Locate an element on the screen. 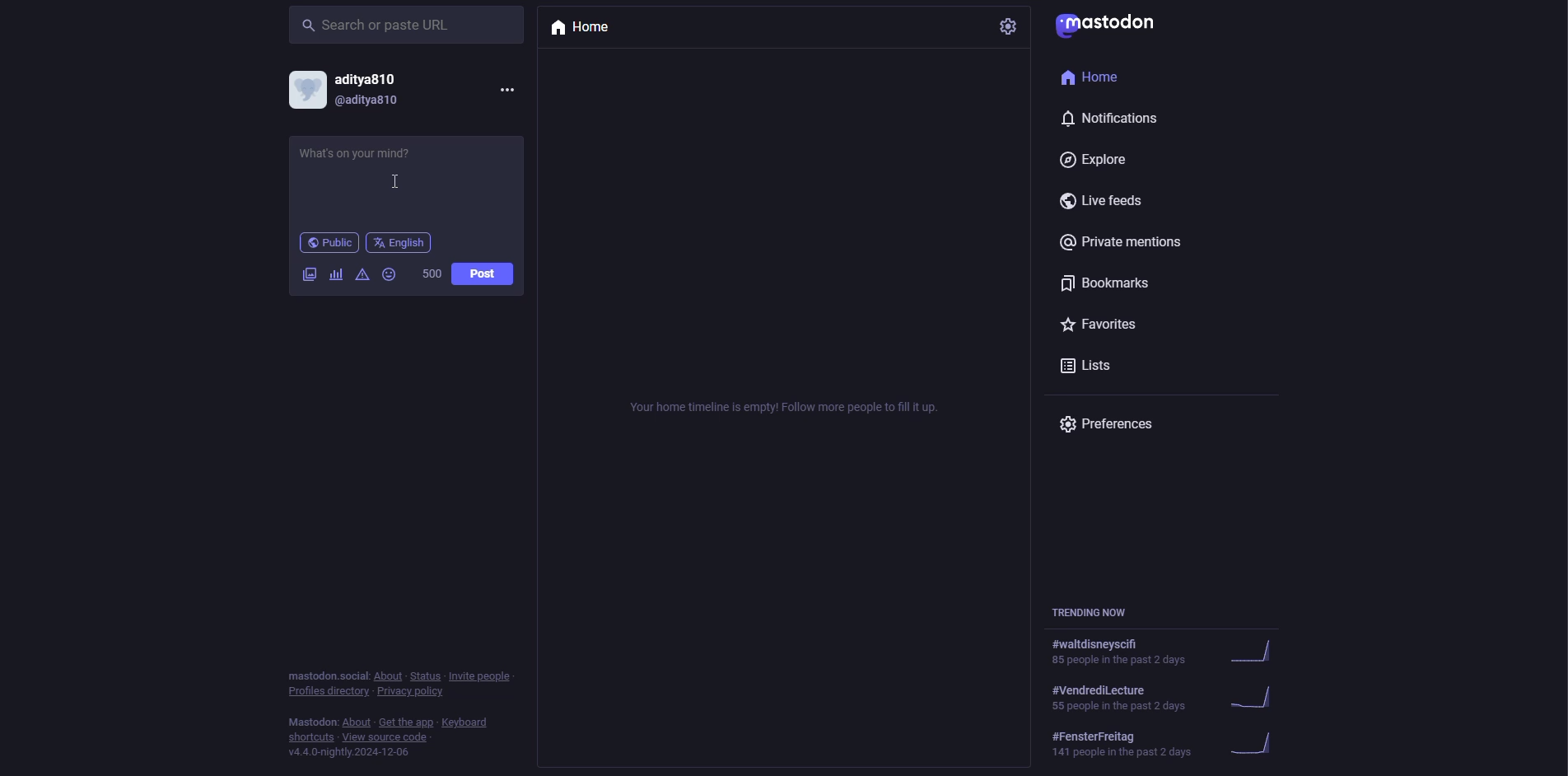 This screenshot has height=776, width=1568. home is located at coordinates (1099, 78).